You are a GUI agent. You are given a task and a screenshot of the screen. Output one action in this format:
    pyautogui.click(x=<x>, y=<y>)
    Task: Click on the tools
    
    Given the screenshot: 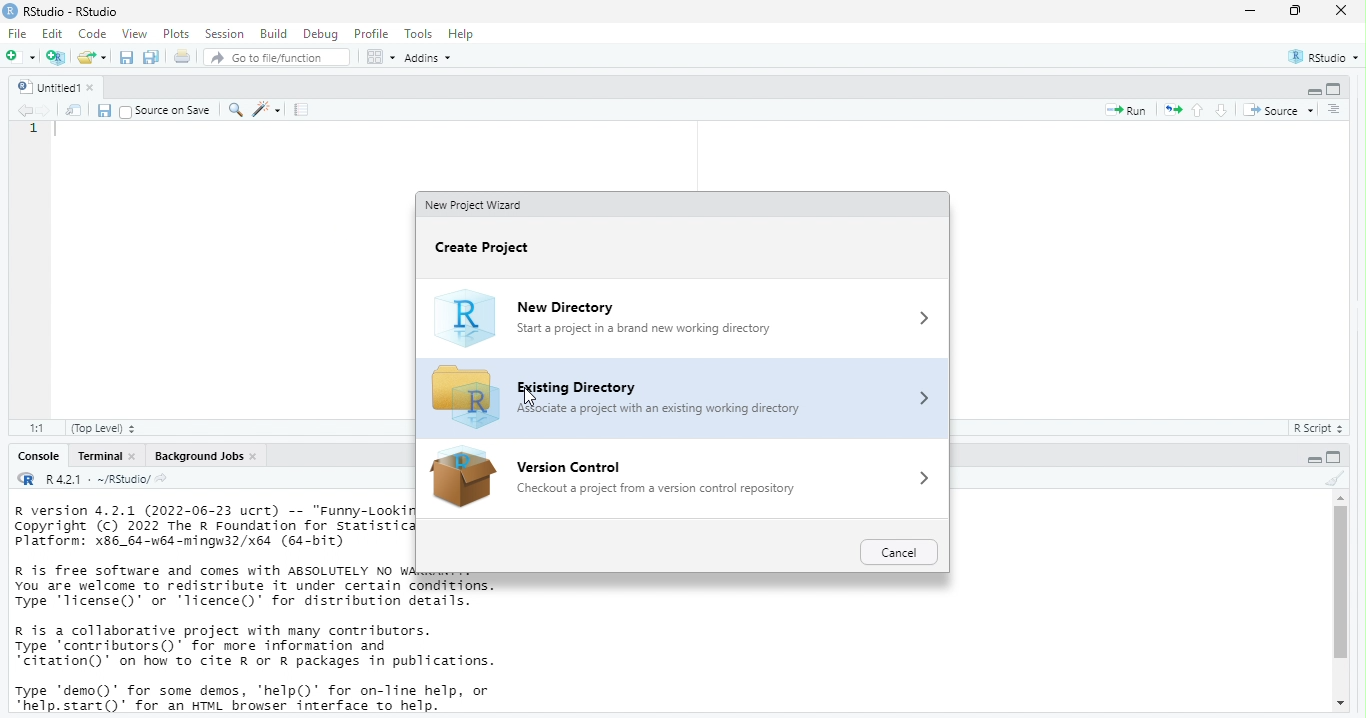 What is the action you would take?
    pyautogui.click(x=419, y=34)
    